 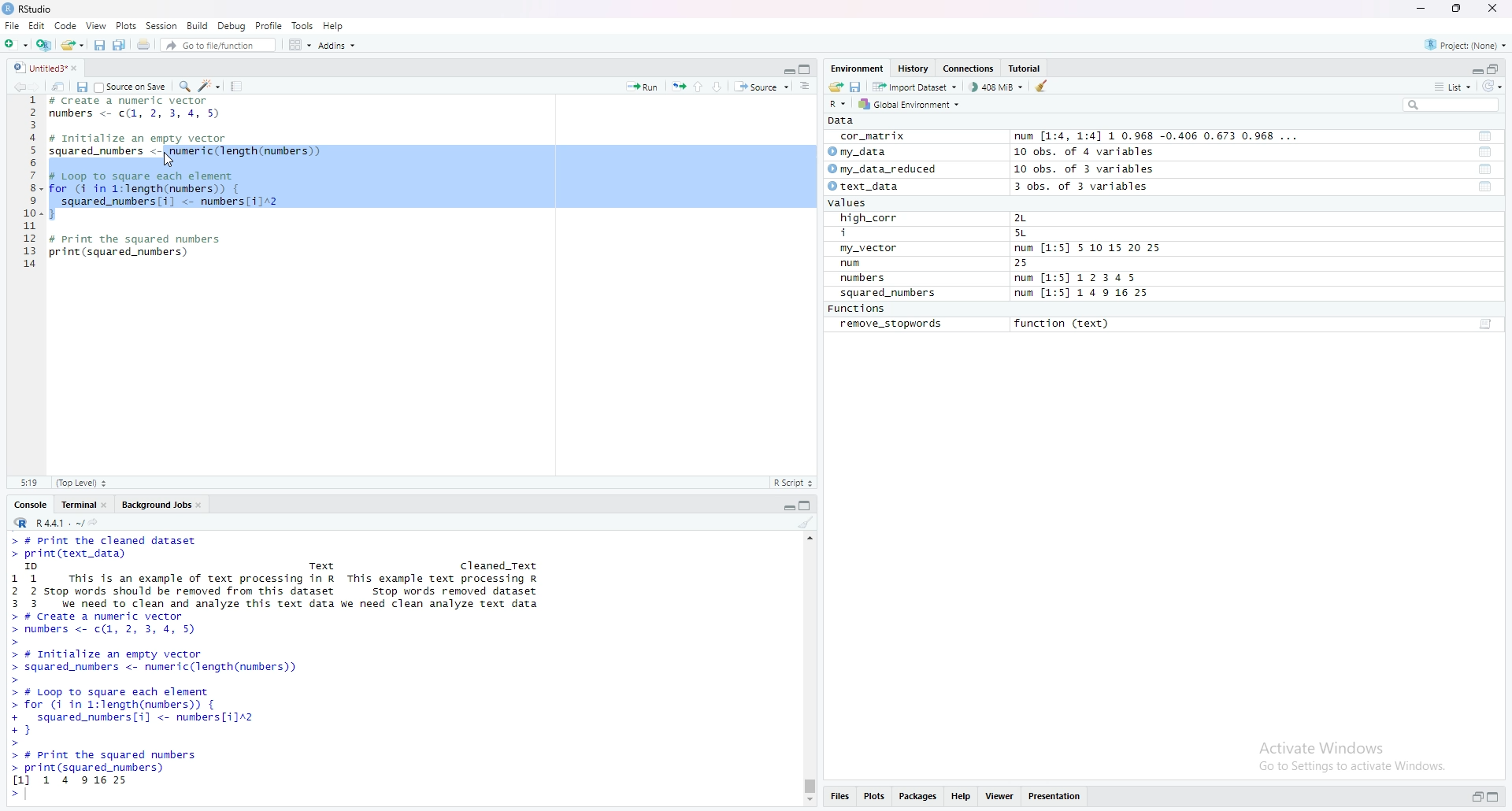 I want to click on numbers, so click(x=866, y=279).